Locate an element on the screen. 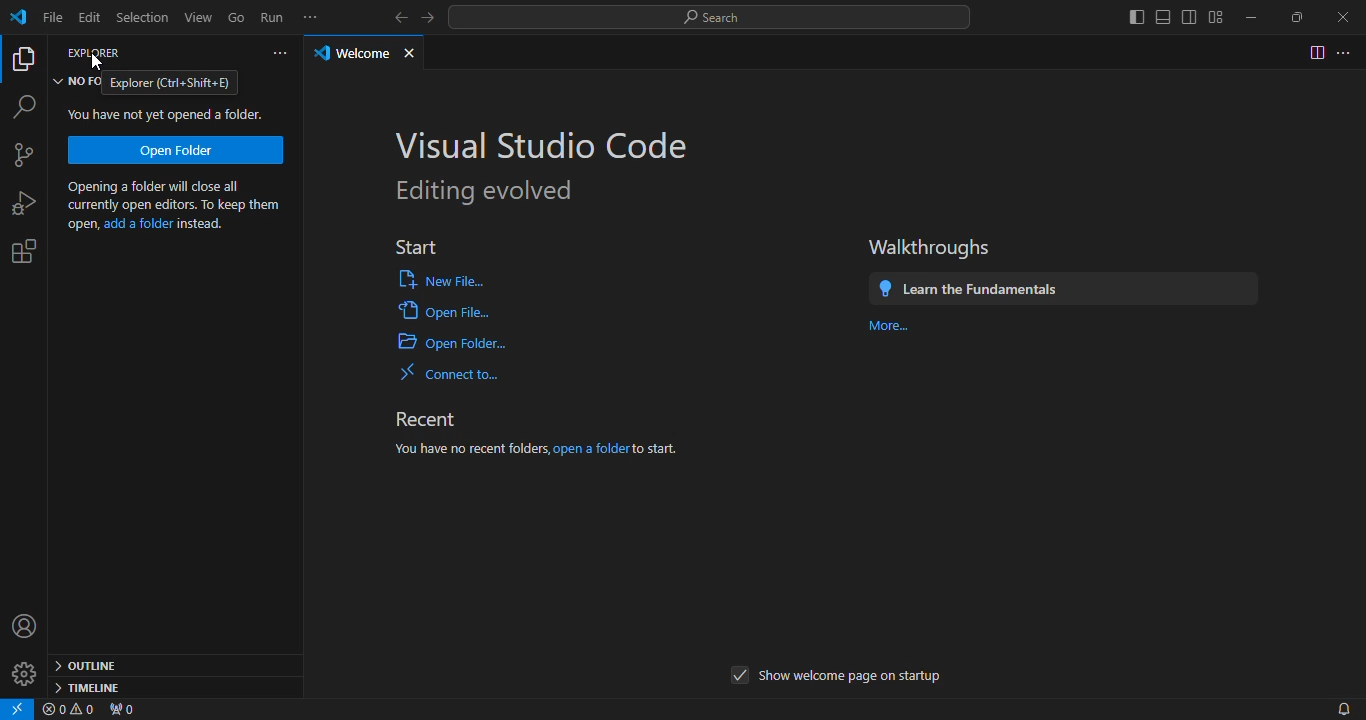 The image size is (1366, 720). minimize is located at coordinates (1244, 13).